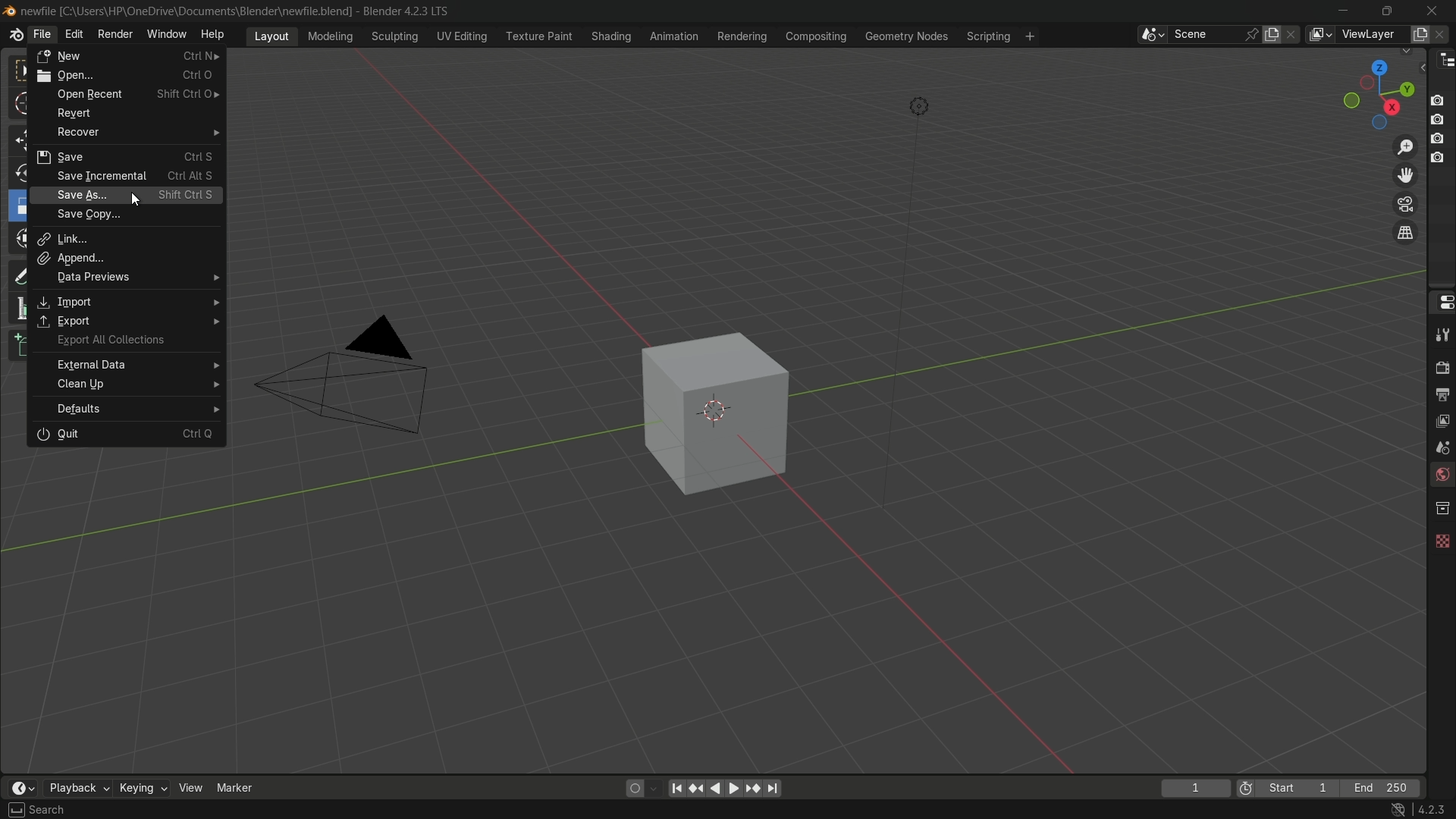 The width and height of the screenshot is (1456, 819). Describe the element at coordinates (126, 437) in the screenshot. I see `quit` at that location.